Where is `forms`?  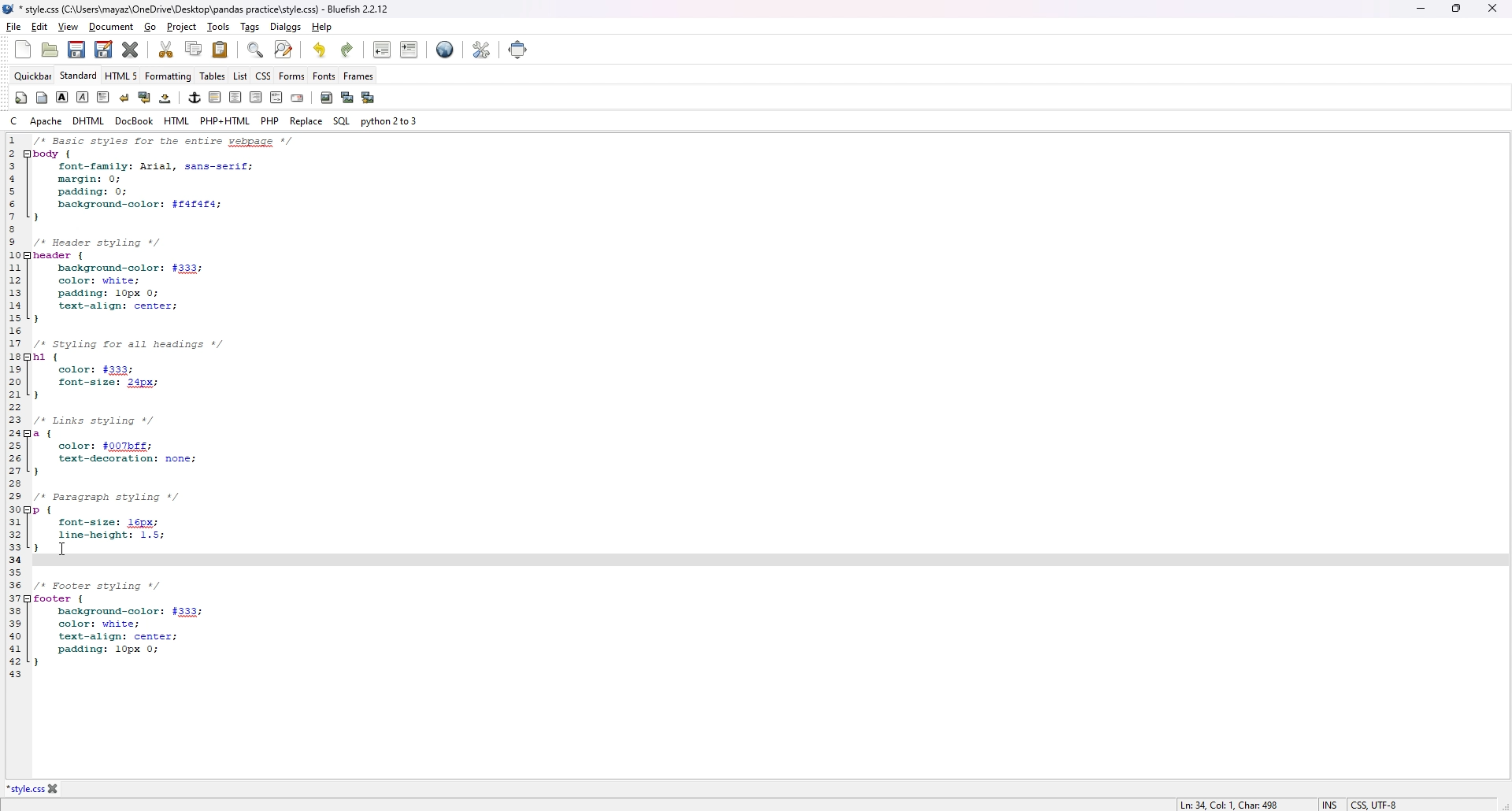 forms is located at coordinates (293, 76).